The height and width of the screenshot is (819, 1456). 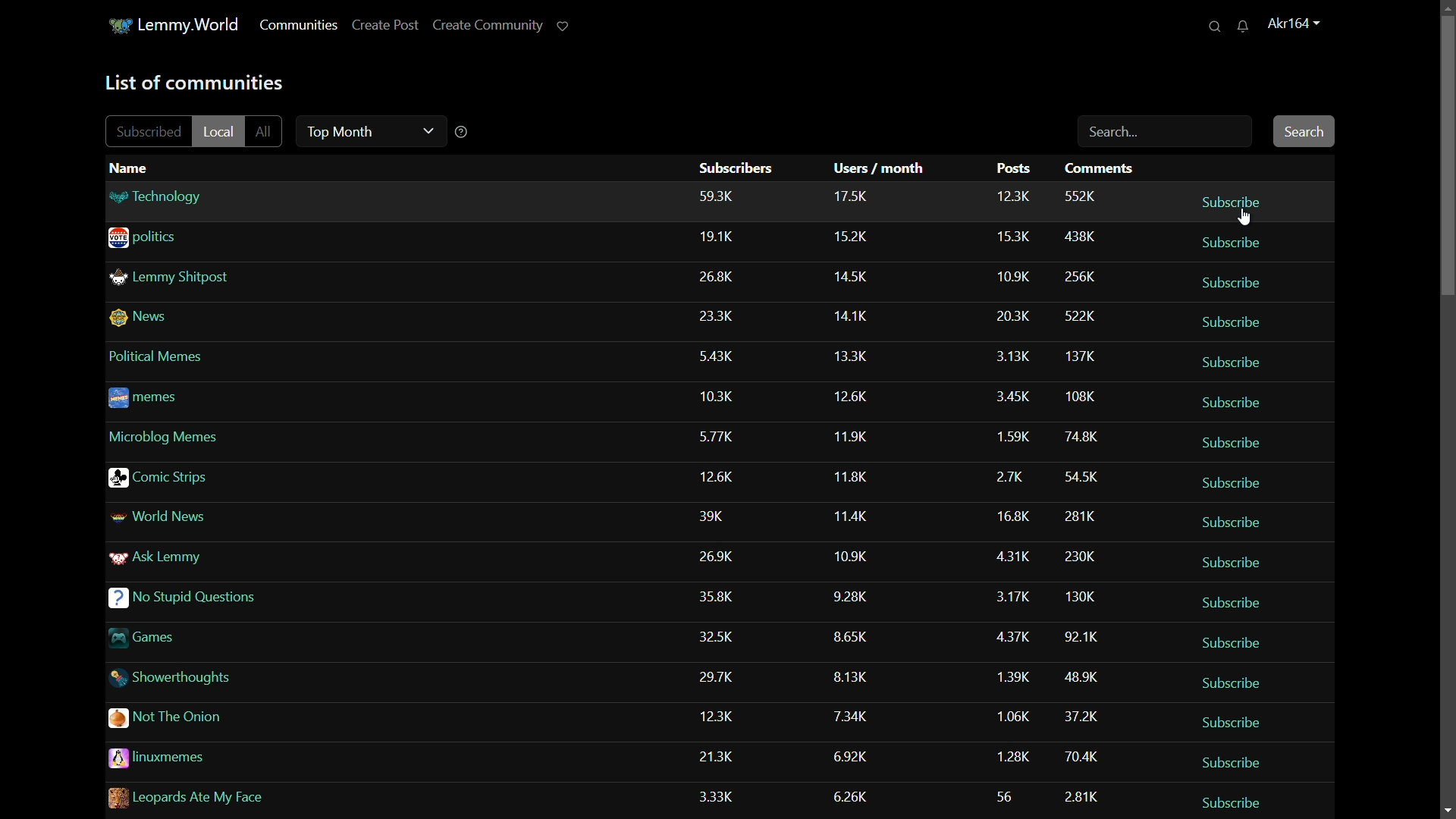 What do you see at coordinates (1227, 642) in the screenshot?
I see `subscribe/unsubscribe` at bounding box center [1227, 642].